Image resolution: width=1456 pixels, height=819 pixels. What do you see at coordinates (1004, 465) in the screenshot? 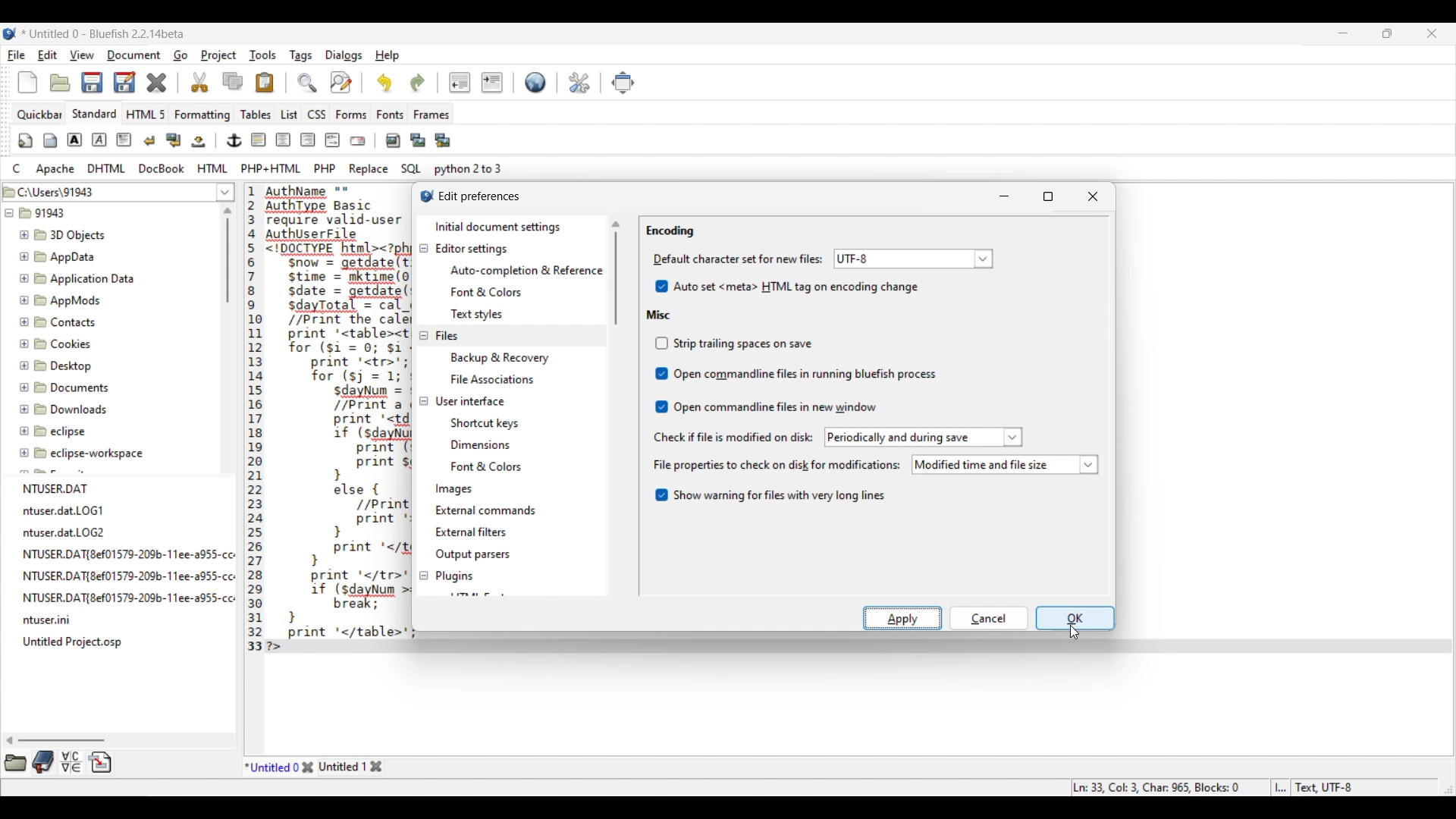
I see `List of file properties to check on disk modifications` at bounding box center [1004, 465].